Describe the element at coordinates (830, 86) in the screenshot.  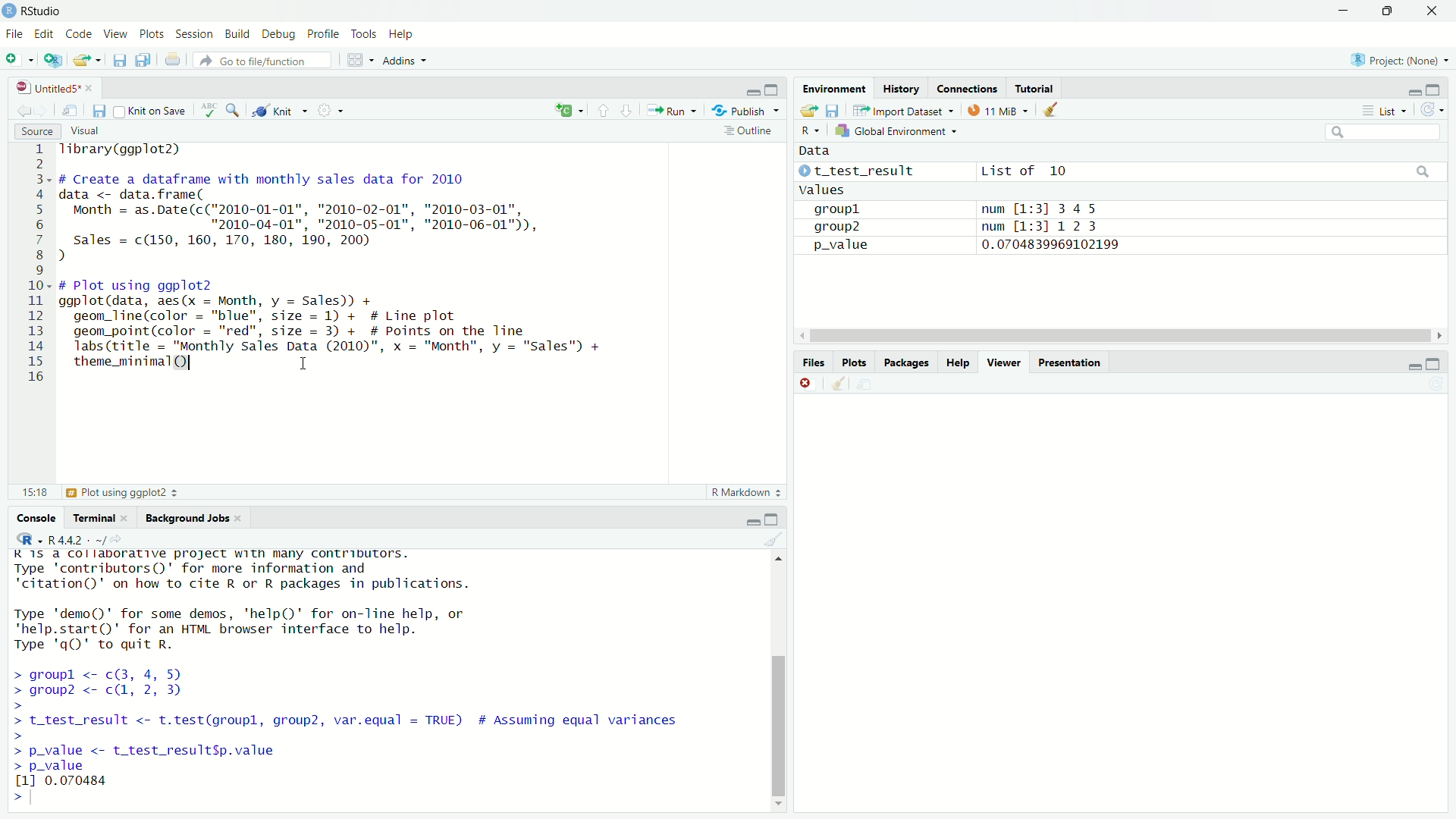
I see `Environment` at that location.